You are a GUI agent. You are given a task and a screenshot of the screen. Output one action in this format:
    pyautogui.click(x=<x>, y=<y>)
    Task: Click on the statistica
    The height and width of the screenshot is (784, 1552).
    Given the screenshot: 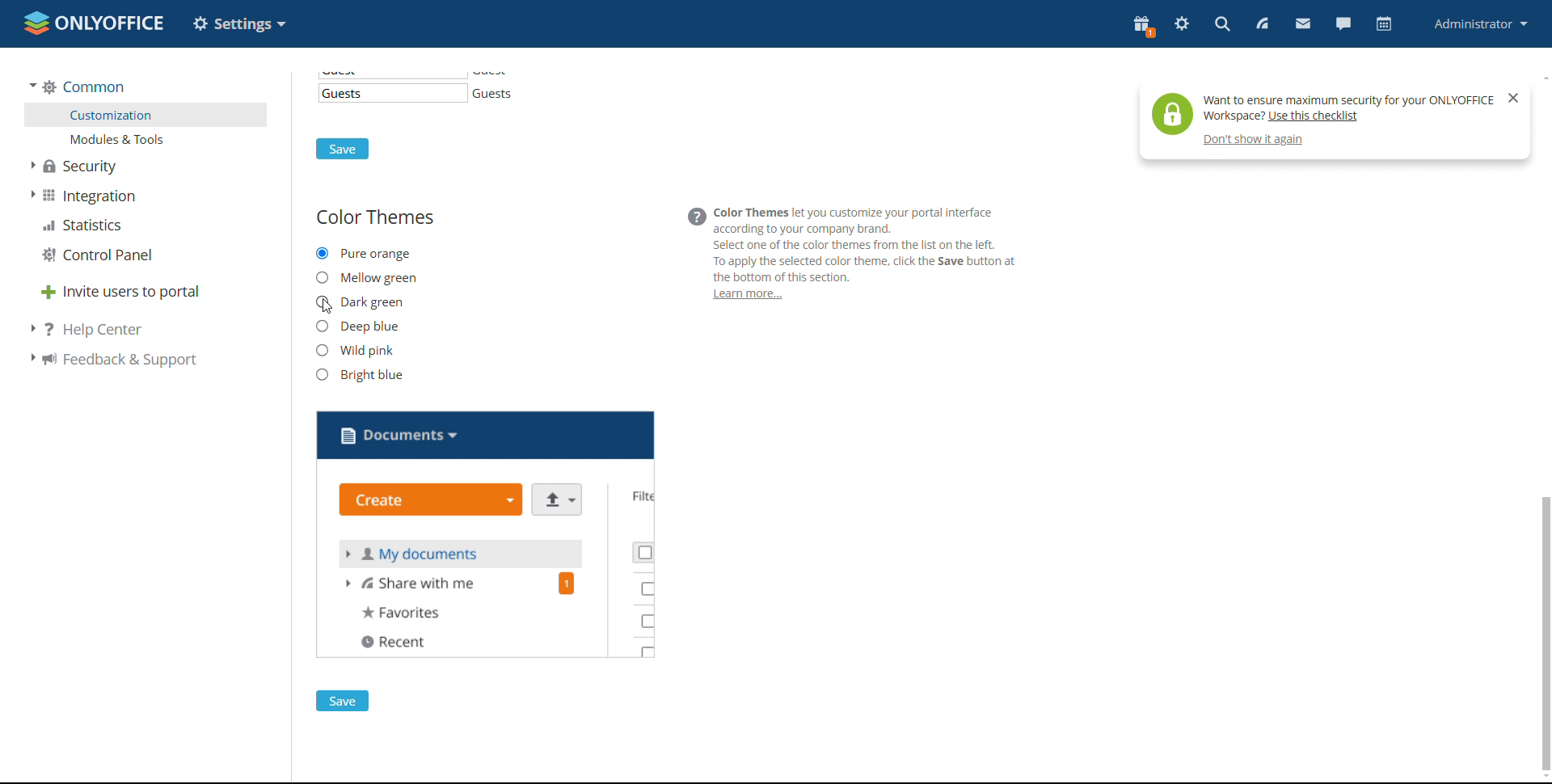 What is the action you would take?
    pyautogui.click(x=84, y=226)
    